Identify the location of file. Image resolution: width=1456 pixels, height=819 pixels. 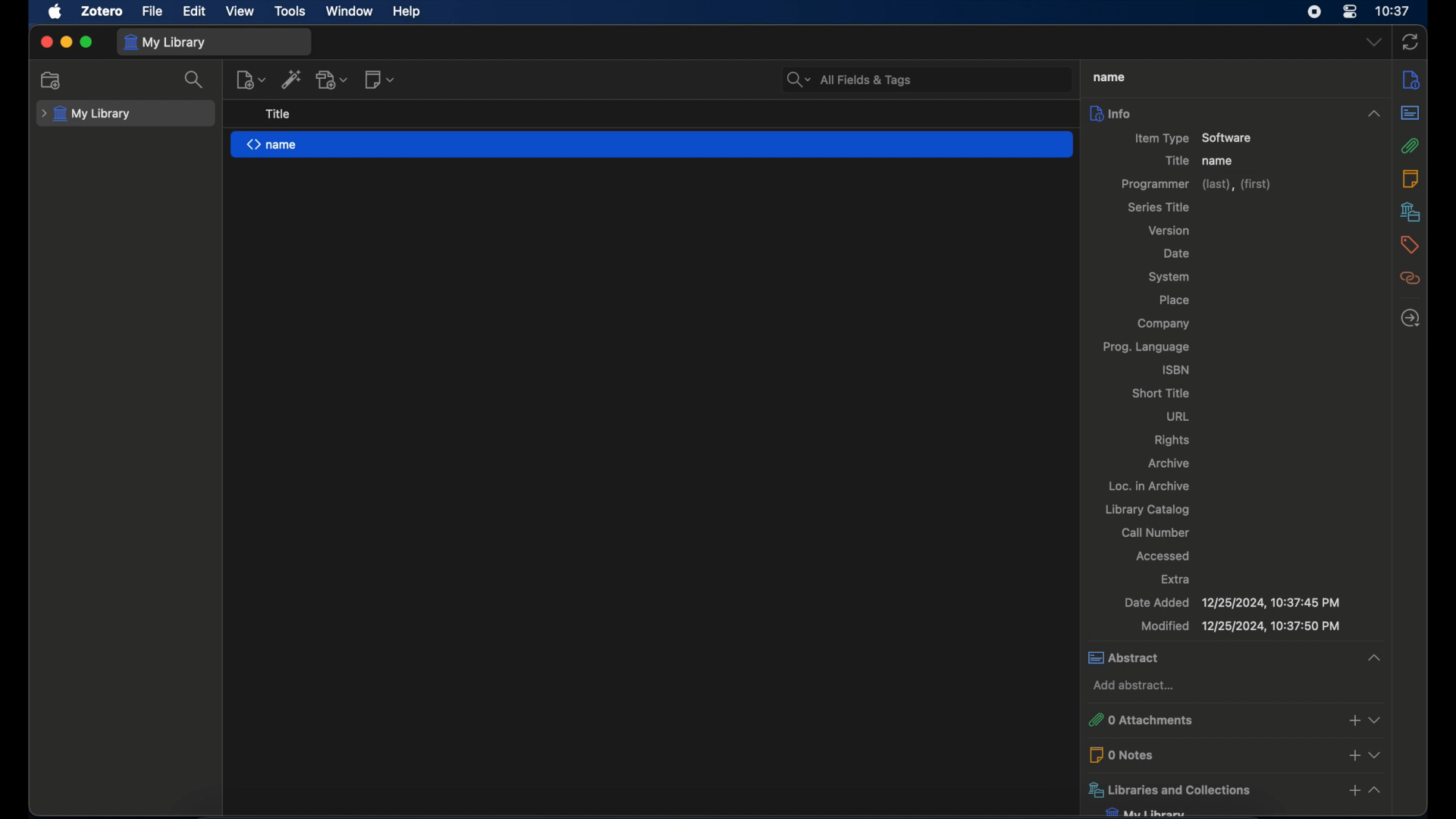
(153, 12).